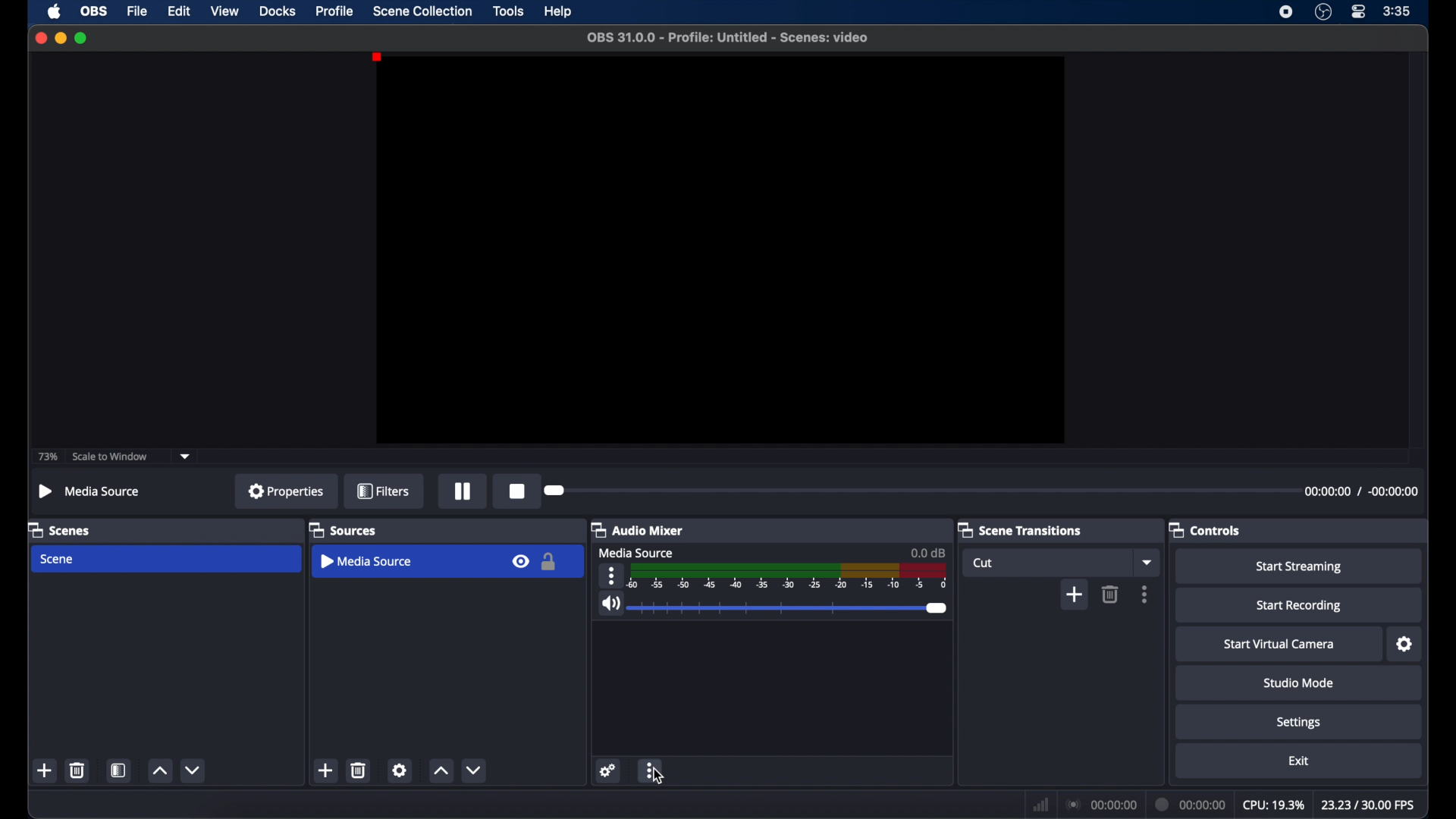 Image resolution: width=1456 pixels, height=819 pixels. Describe the element at coordinates (636, 529) in the screenshot. I see `audio mixer` at that location.